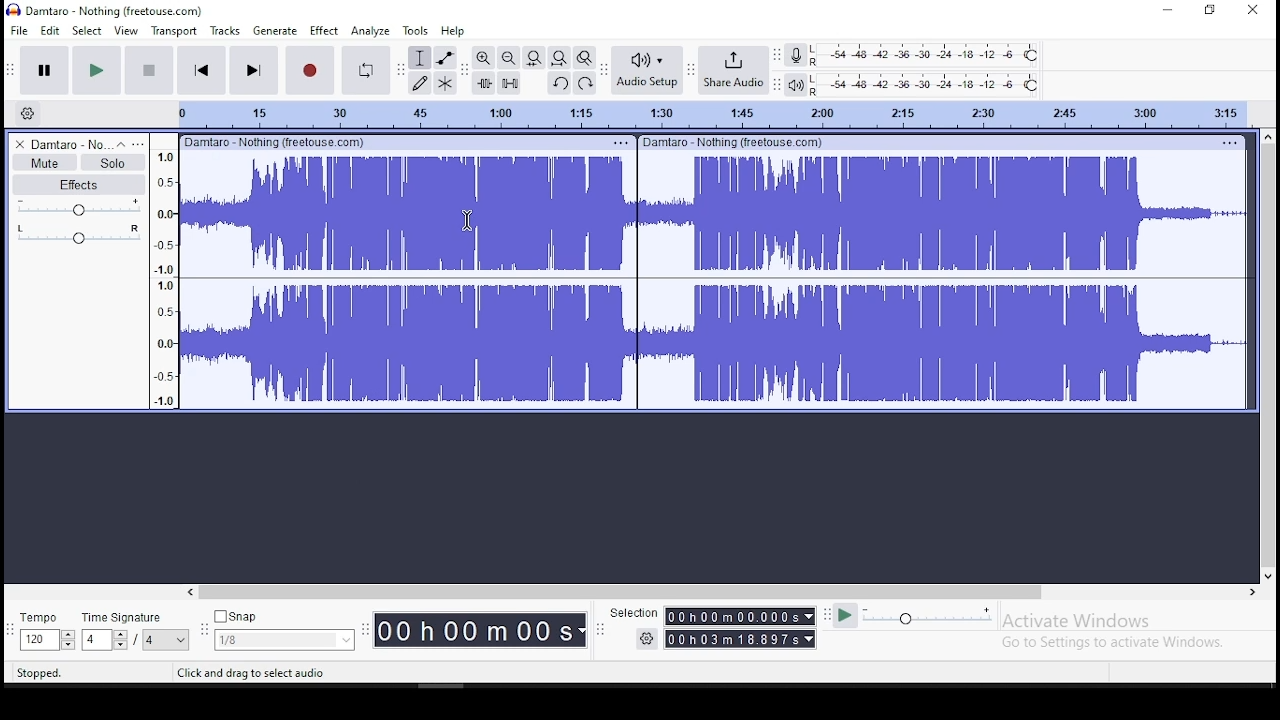 This screenshot has width=1280, height=720. Describe the element at coordinates (39, 617) in the screenshot. I see `tempo` at that location.